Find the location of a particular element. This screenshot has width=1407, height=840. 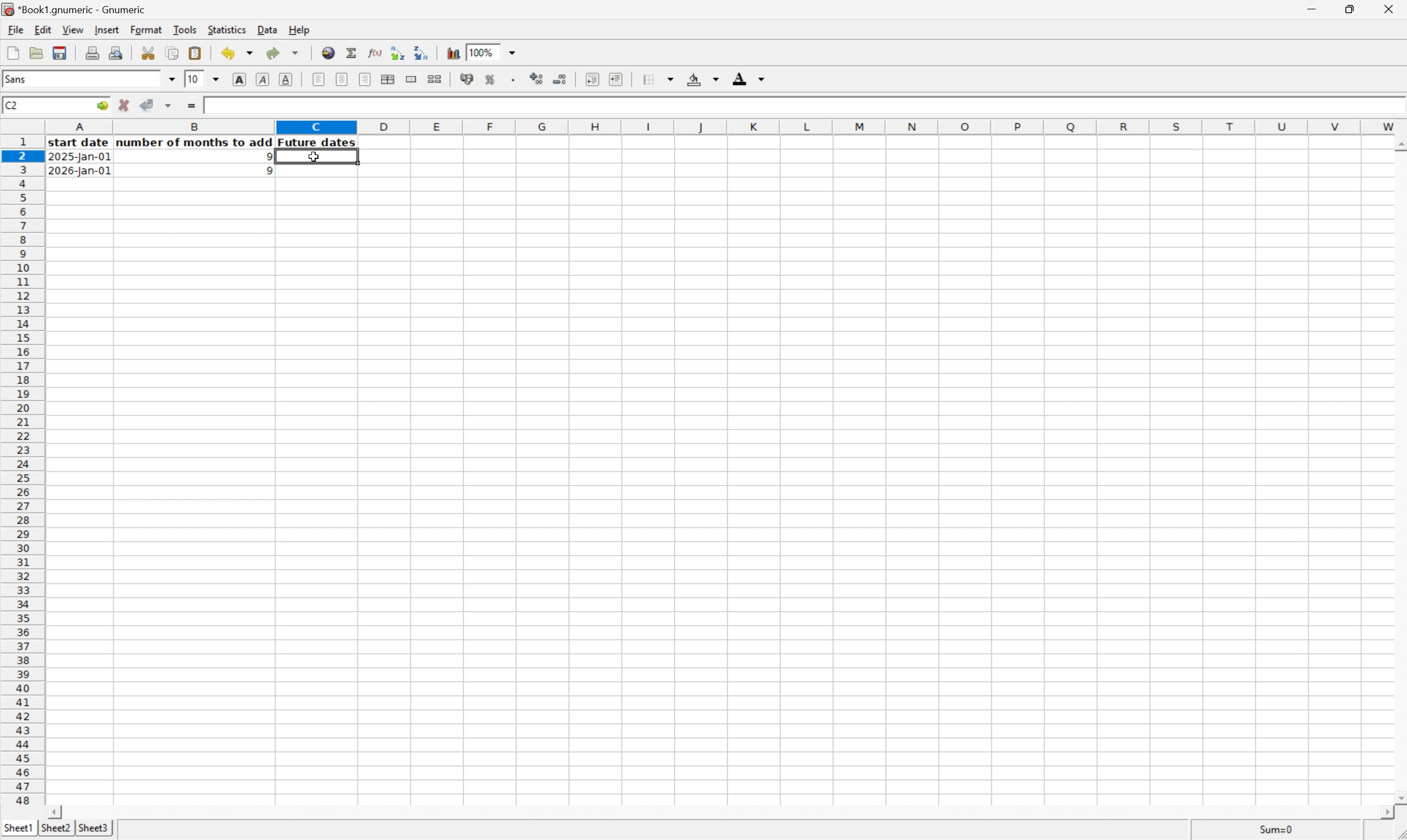

Foreground is located at coordinates (750, 78).